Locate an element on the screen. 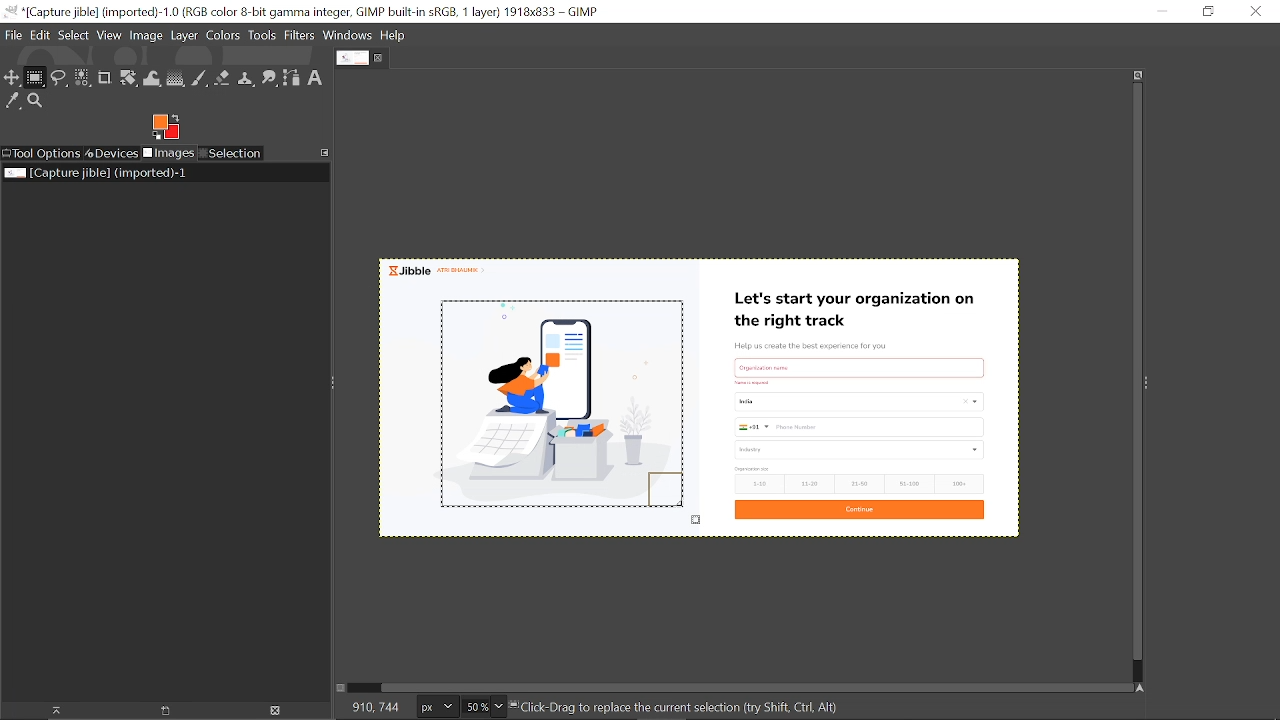 The image size is (1280, 720). Minimize is located at coordinates (1161, 12).